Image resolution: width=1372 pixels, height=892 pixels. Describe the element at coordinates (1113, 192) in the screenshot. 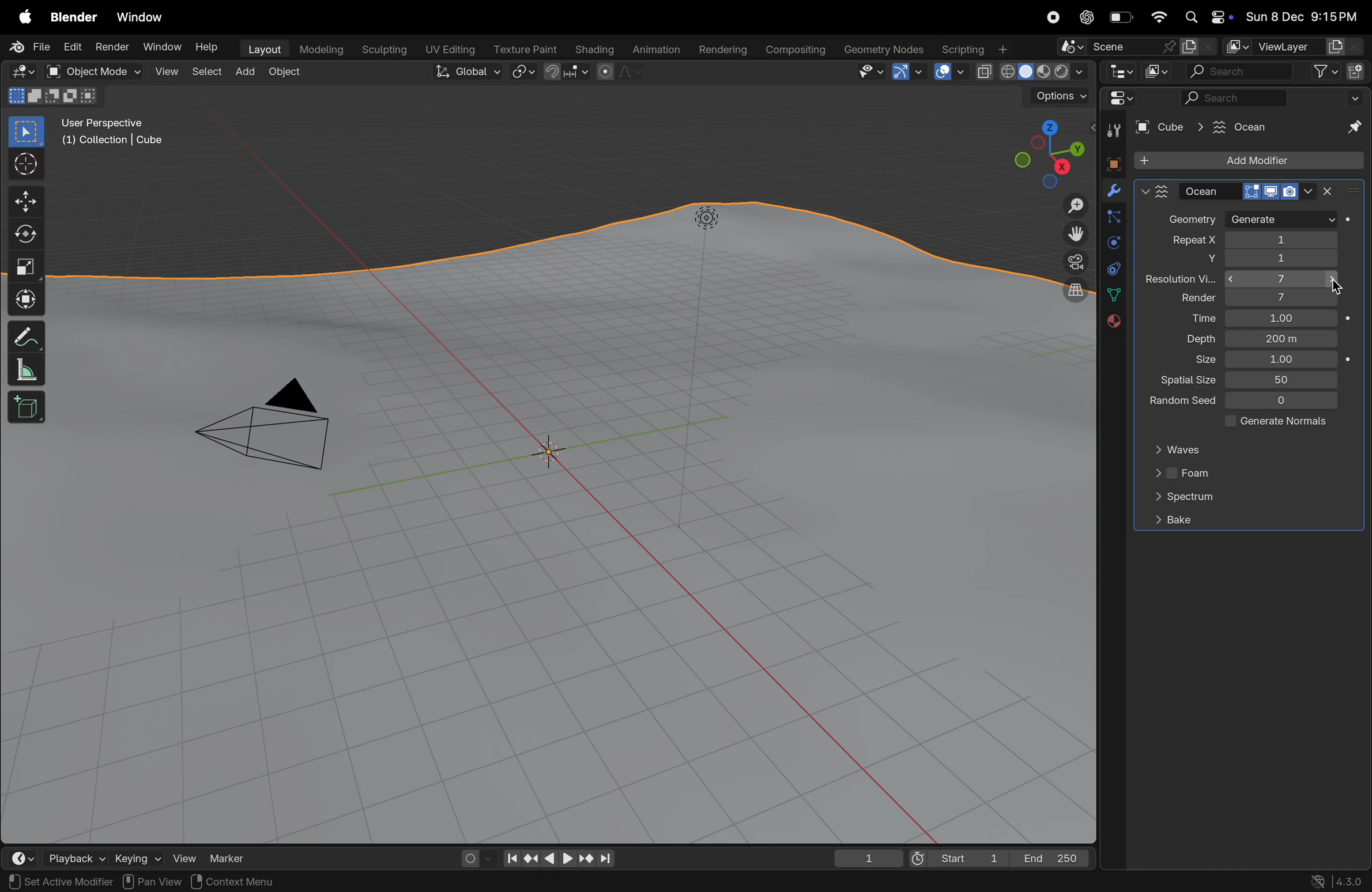

I see `modifiers` at that location.